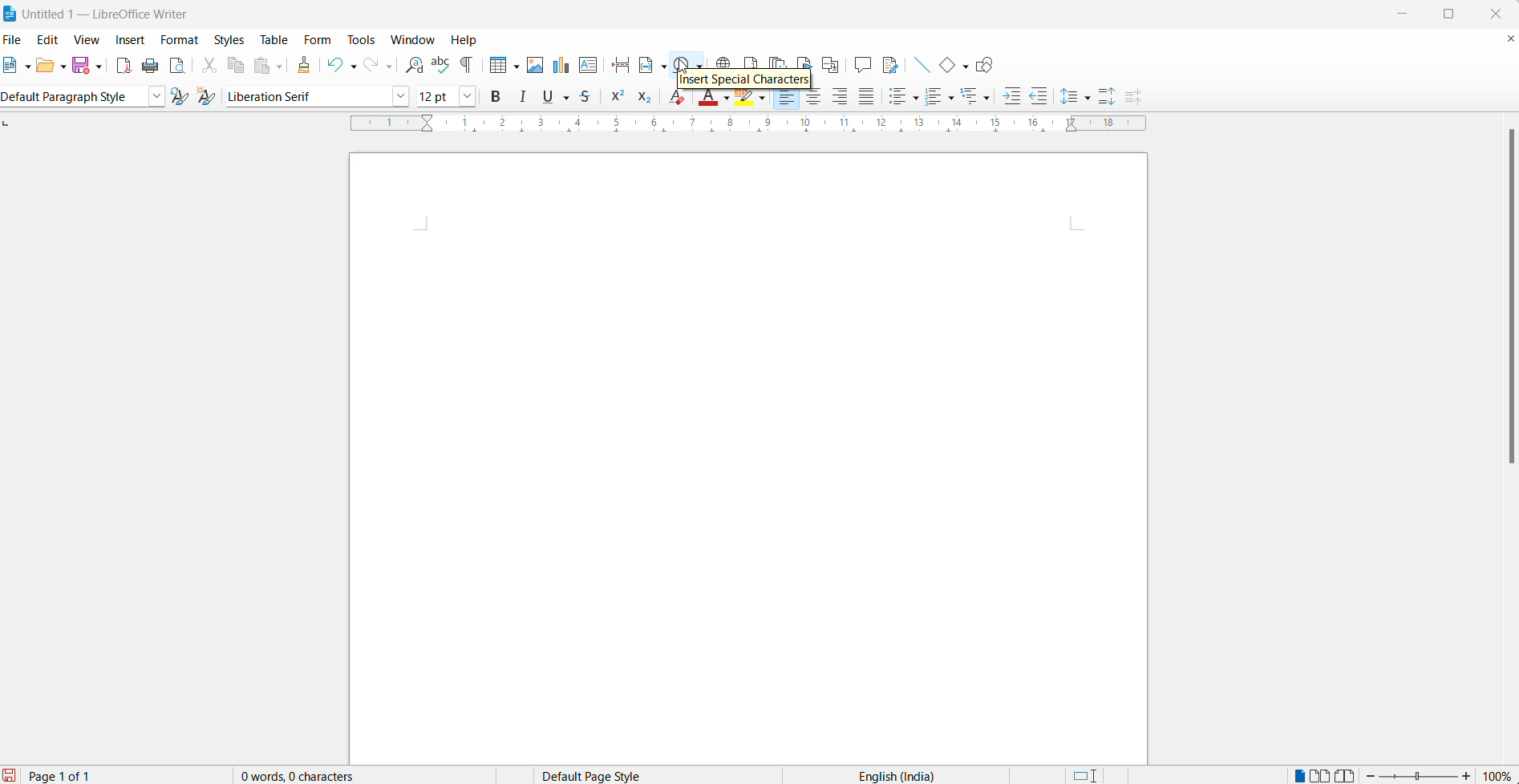 The image size is (1519, 784). What do you see at coordinates (815, 100) in the screenshot?
I see `text align center` at bounding box center [815, 100].